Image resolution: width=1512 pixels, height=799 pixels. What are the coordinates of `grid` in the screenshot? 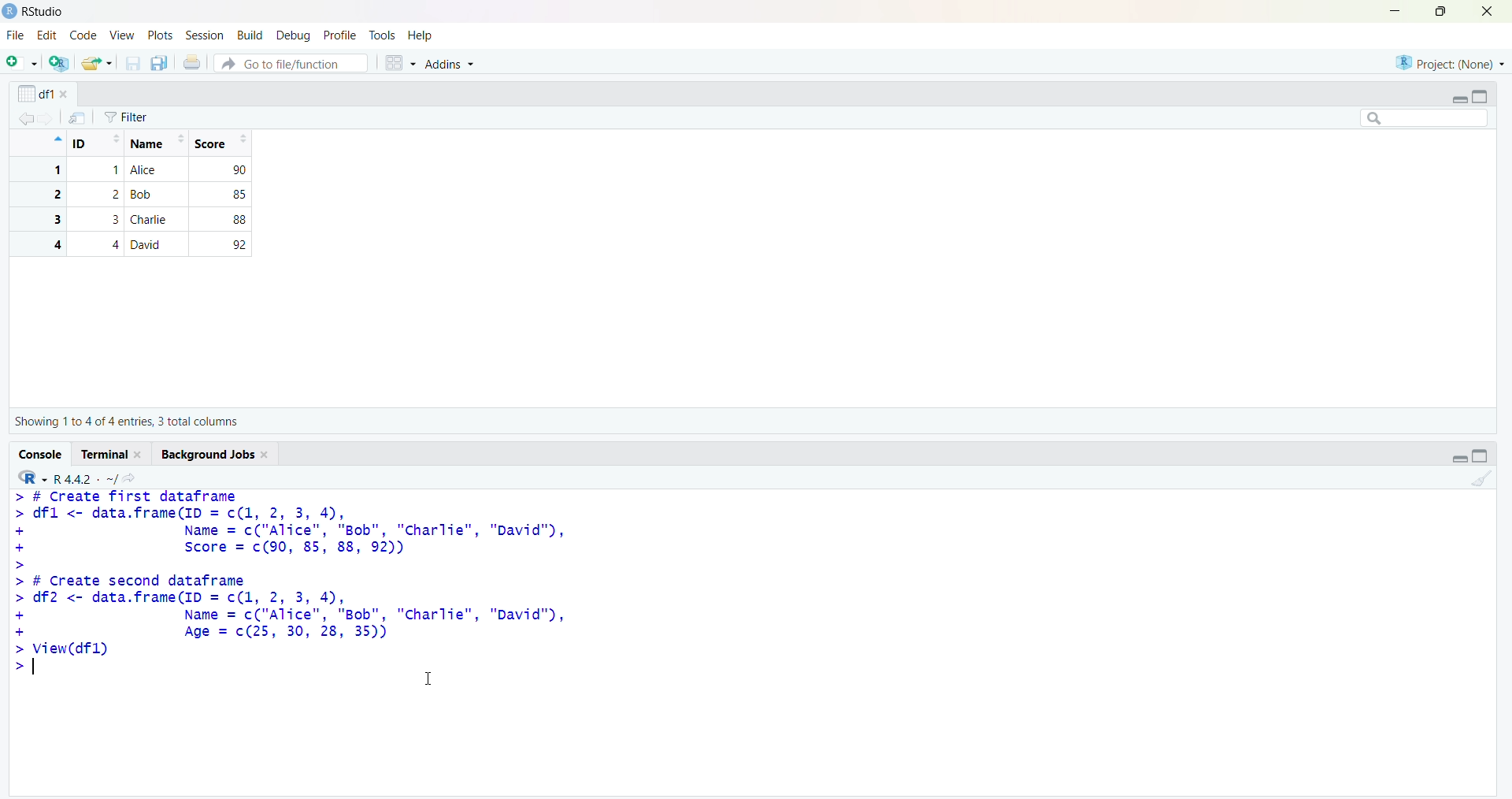 It's located at (401, 63).